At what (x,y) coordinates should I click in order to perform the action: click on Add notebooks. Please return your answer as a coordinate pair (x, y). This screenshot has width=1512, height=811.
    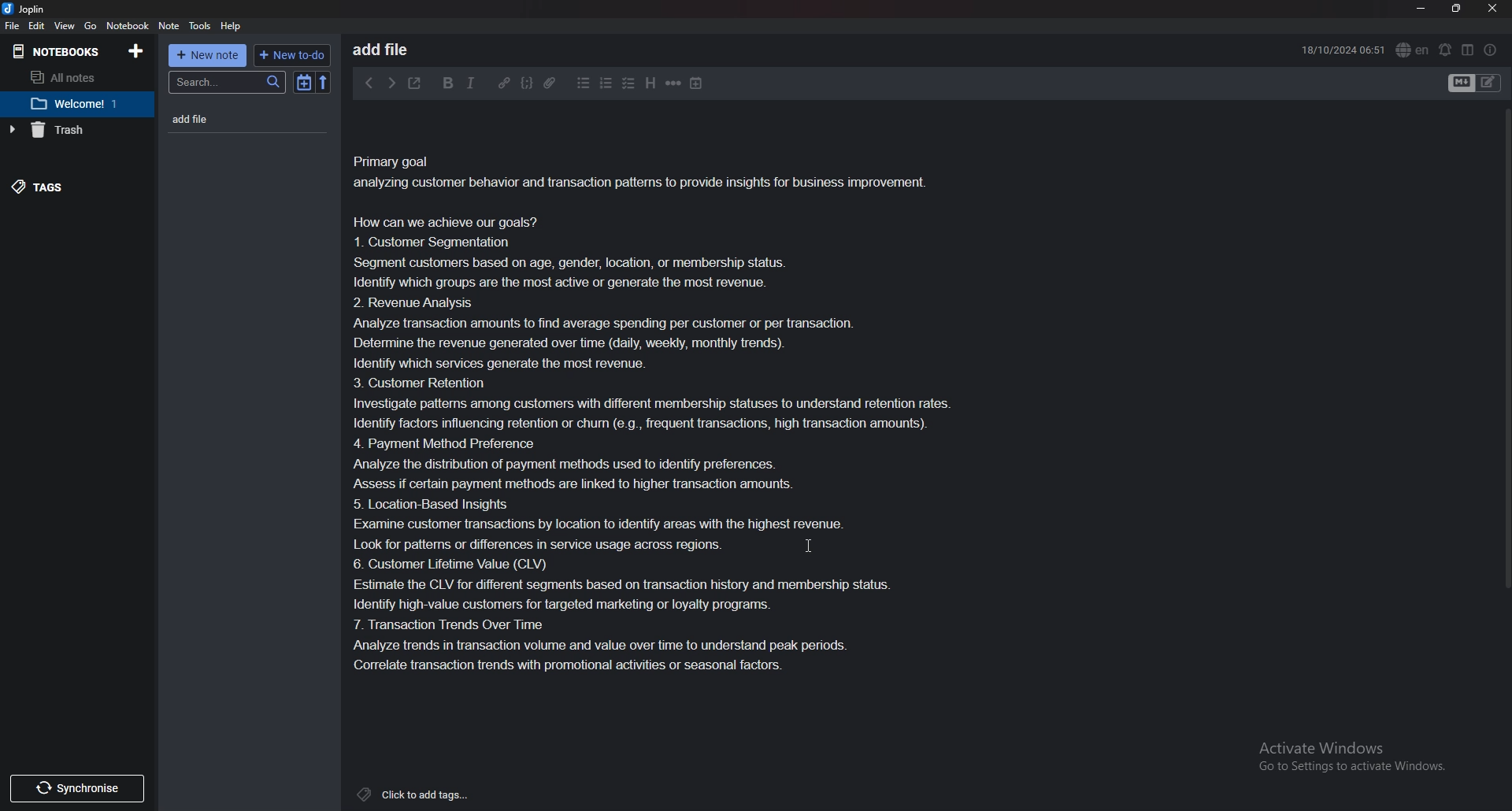
    Looking at the image, I should click on (135, 50).